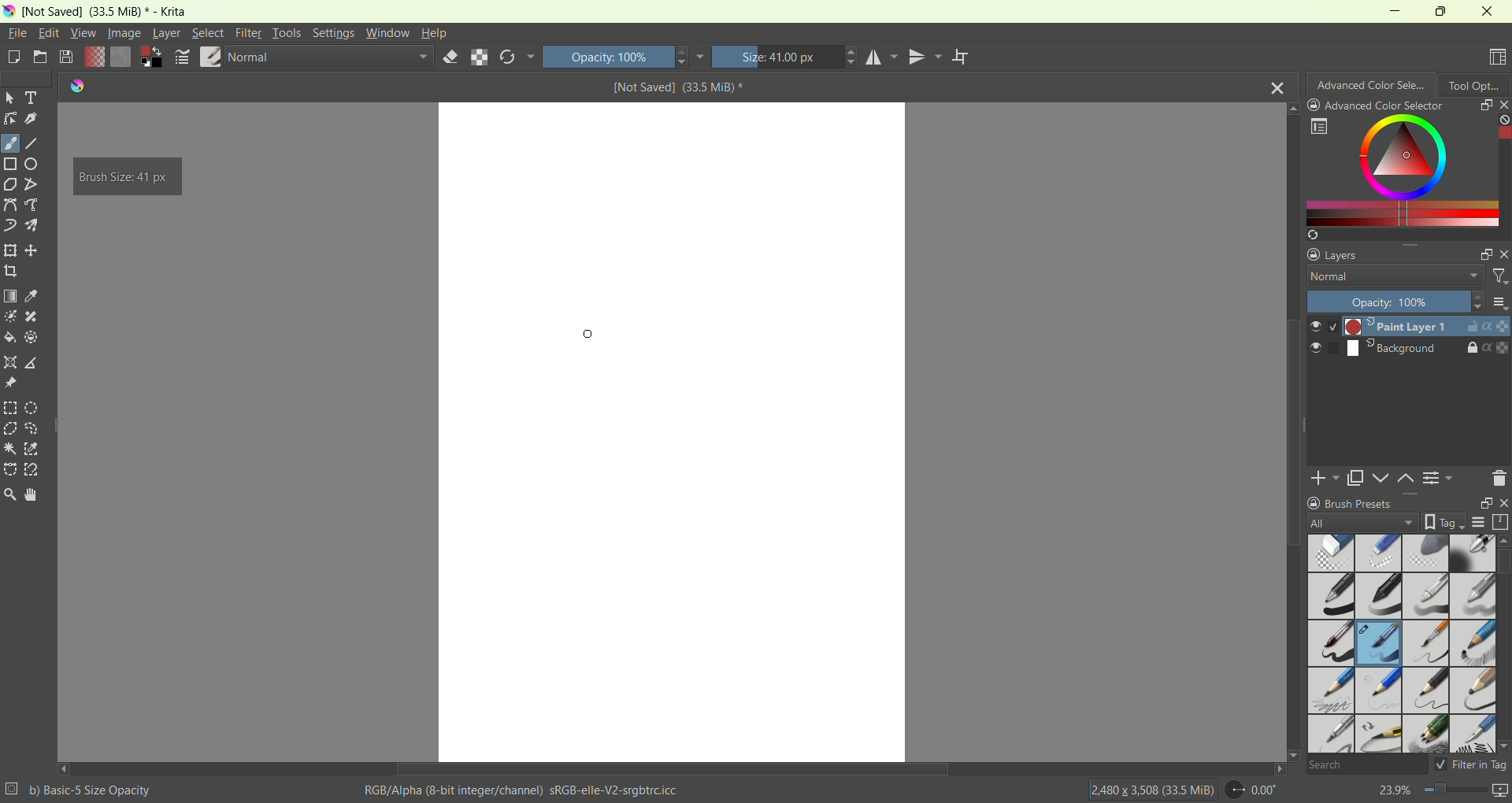  What do you see at coordinates (29, 494) in the screenshot?
I see `pan` at bounding box center [29, 494].